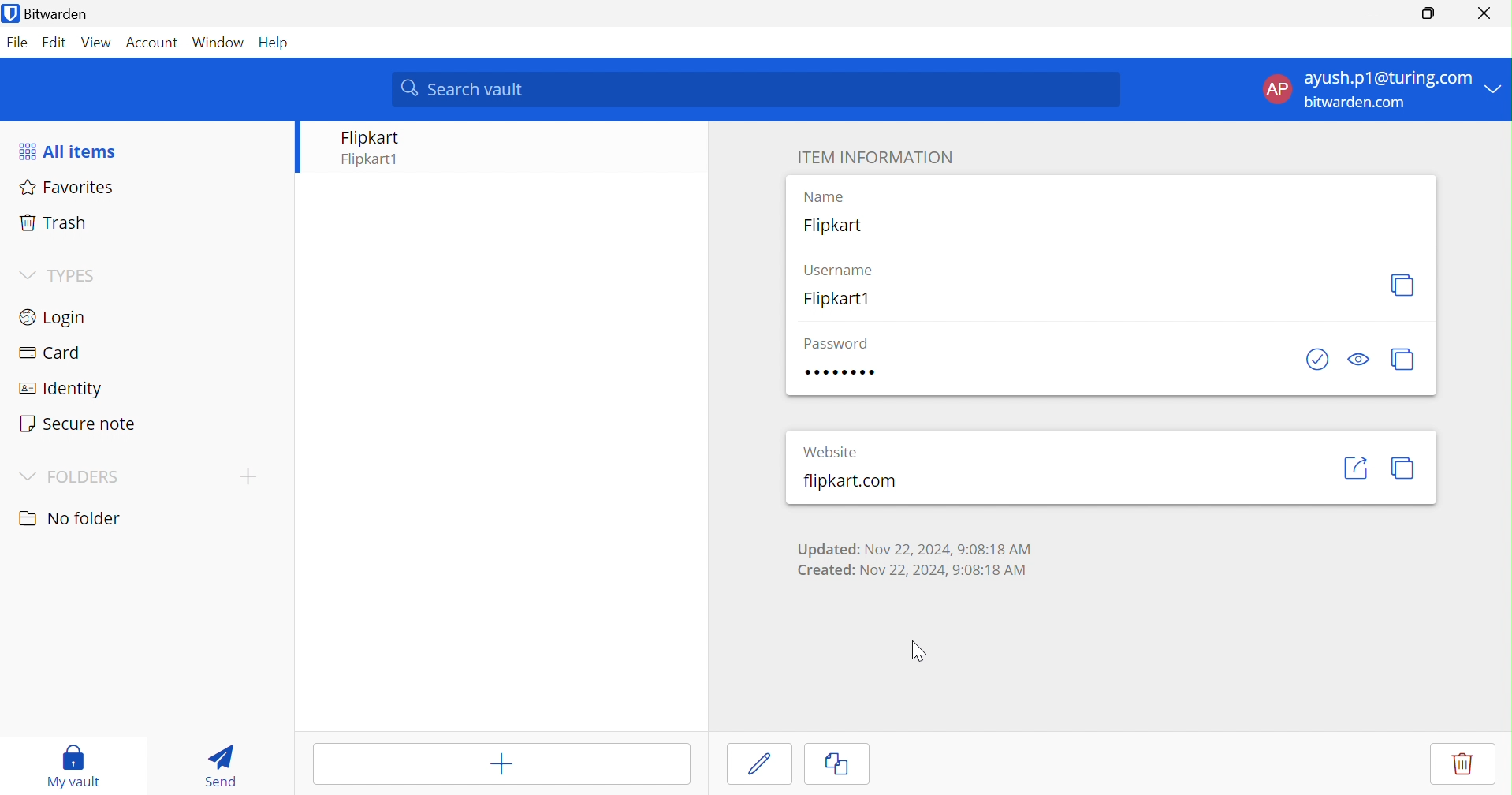 The width and height of the screenshot is (1512, 795). What do you see at coordinates (219, 766) in the screenshot?
I see `Send` at bounding box center [219, 766].